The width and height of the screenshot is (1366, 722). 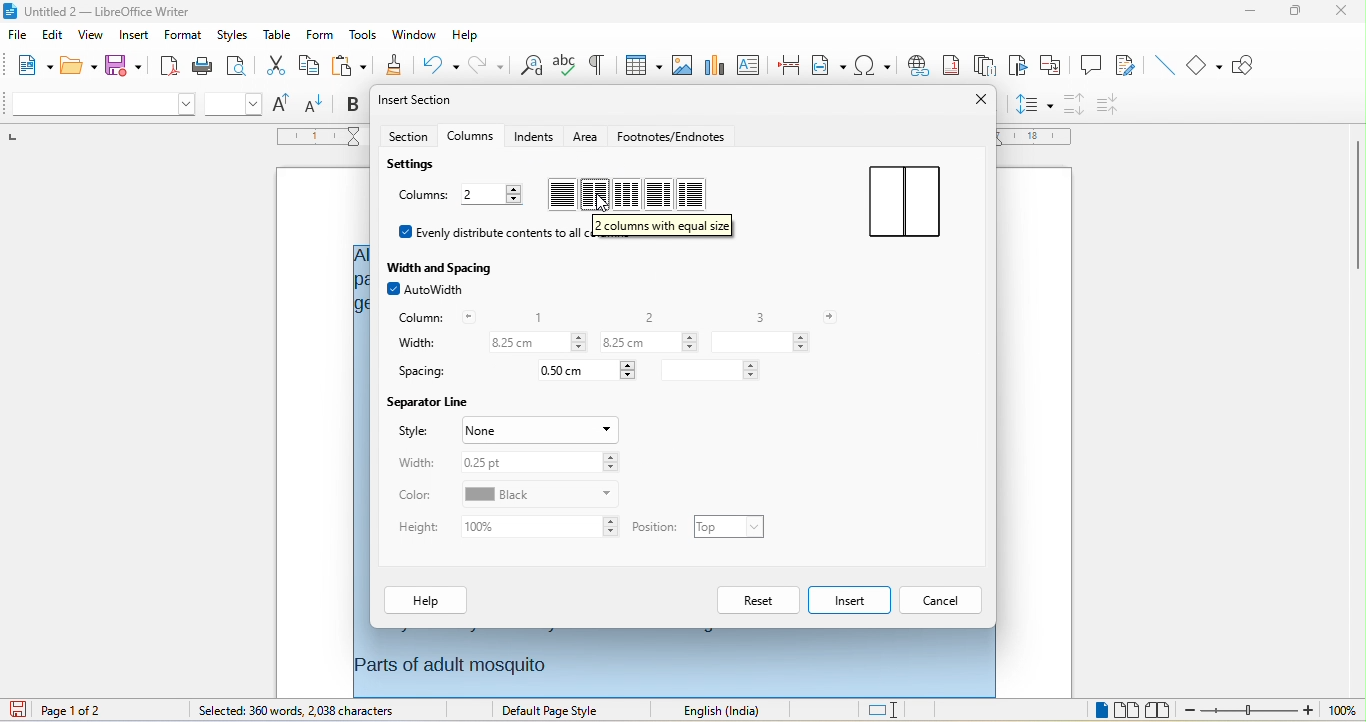 What do you see at coordinates (627, 194) in the screenshot?
I see `3 column with equal size` at bounding box center [627, 194].